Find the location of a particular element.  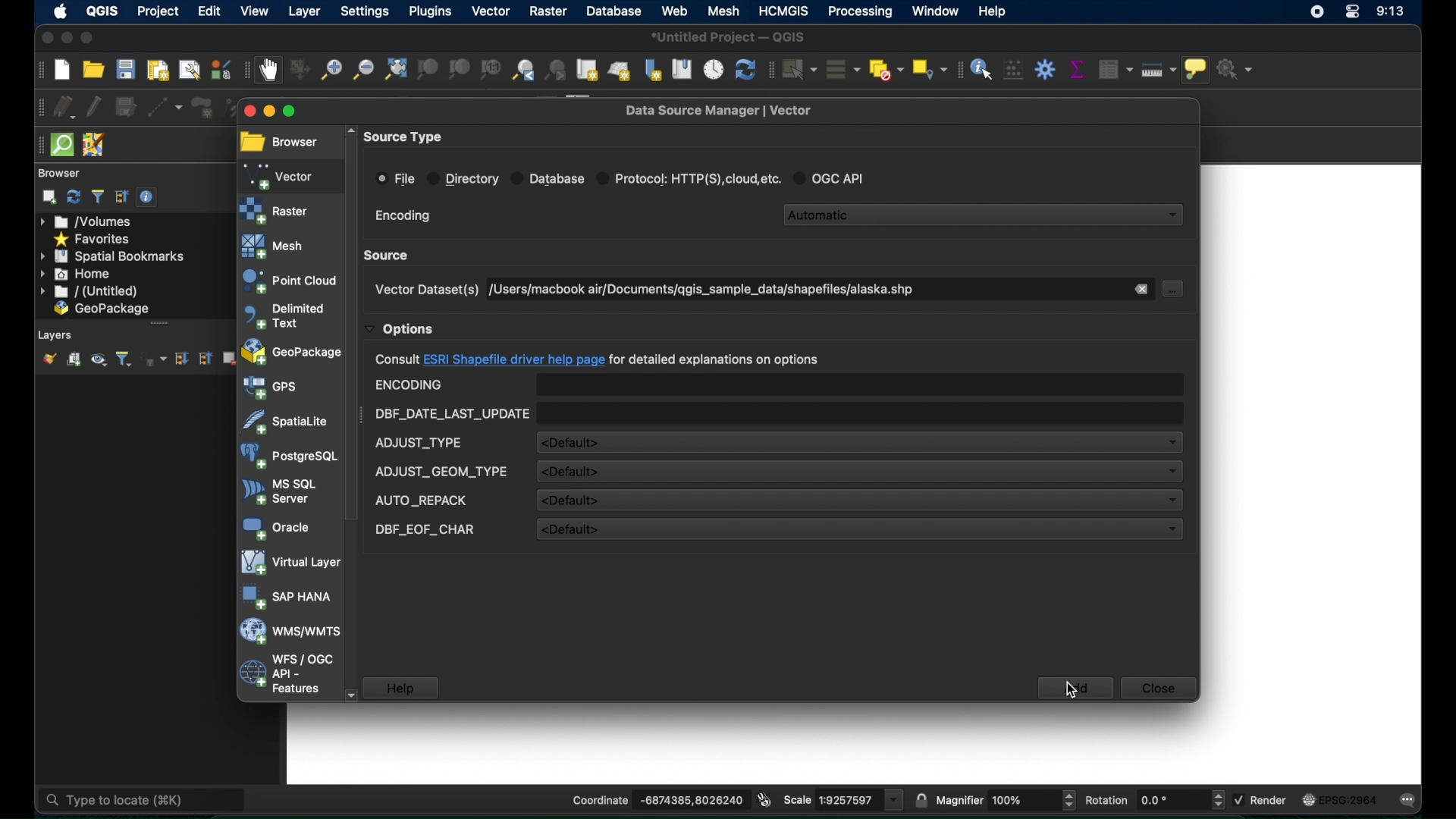

dataset file is located at coordinates (700, 290).